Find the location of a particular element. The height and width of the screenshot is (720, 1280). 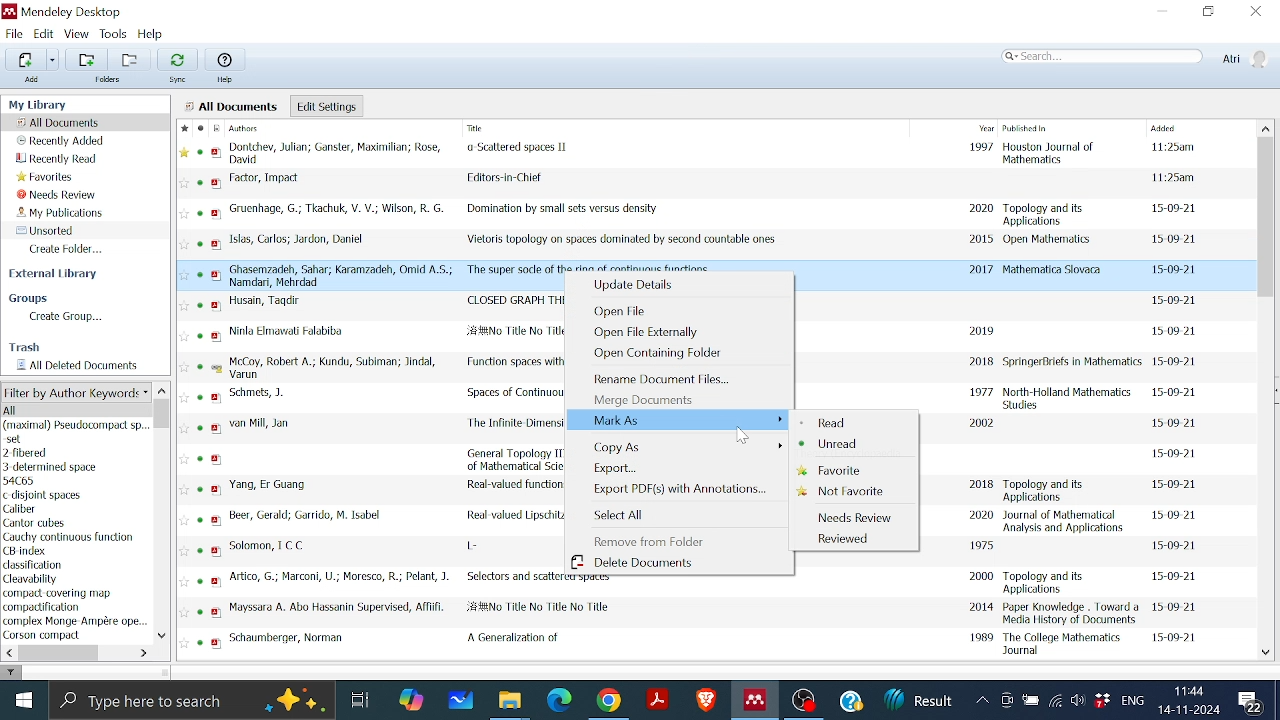

complex Monge Ampere is located at coordinates (74, 621).